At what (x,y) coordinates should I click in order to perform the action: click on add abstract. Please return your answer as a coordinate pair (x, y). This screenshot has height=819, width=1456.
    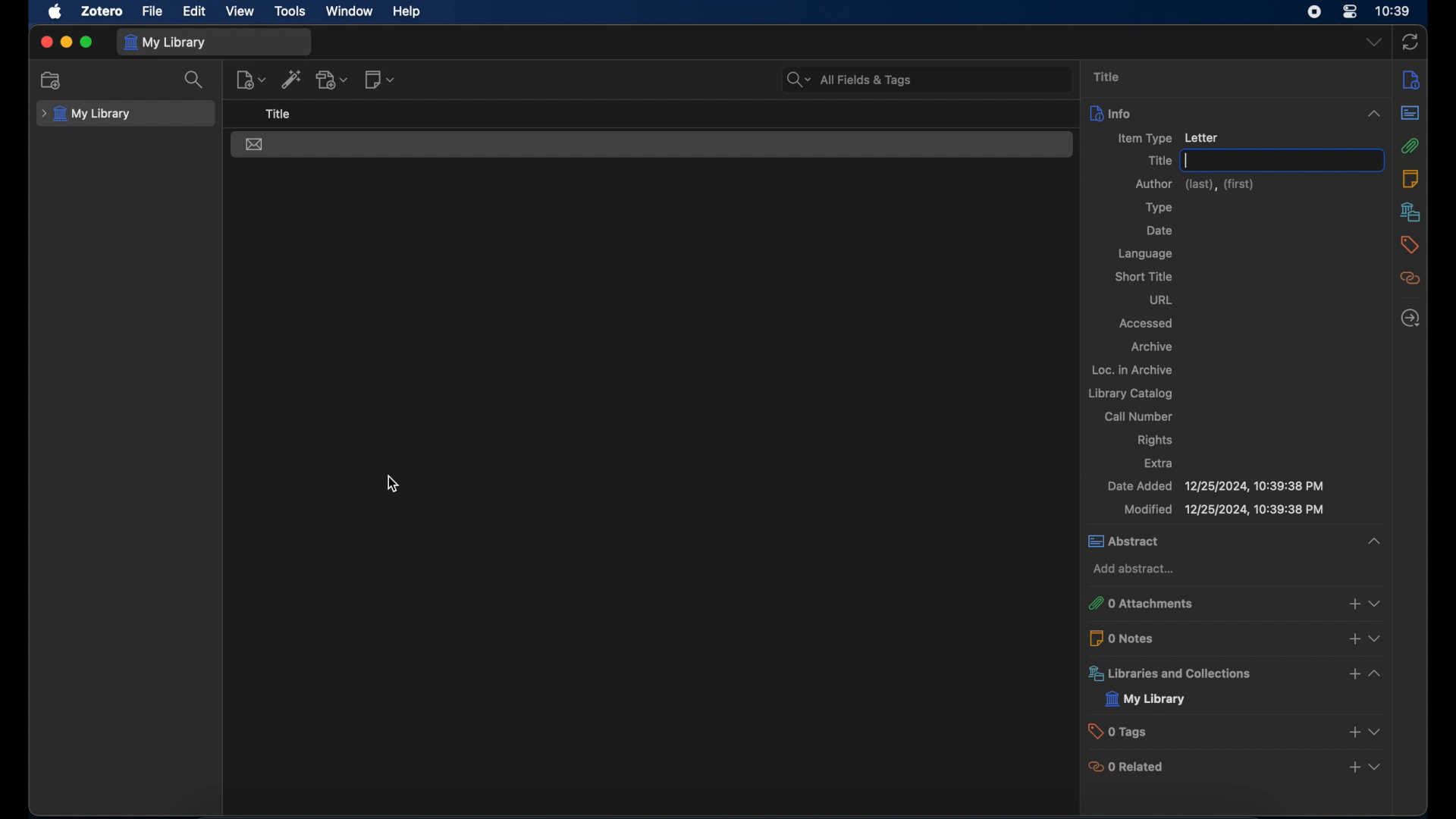
    Looking at the image, I should click on (1136, 570).